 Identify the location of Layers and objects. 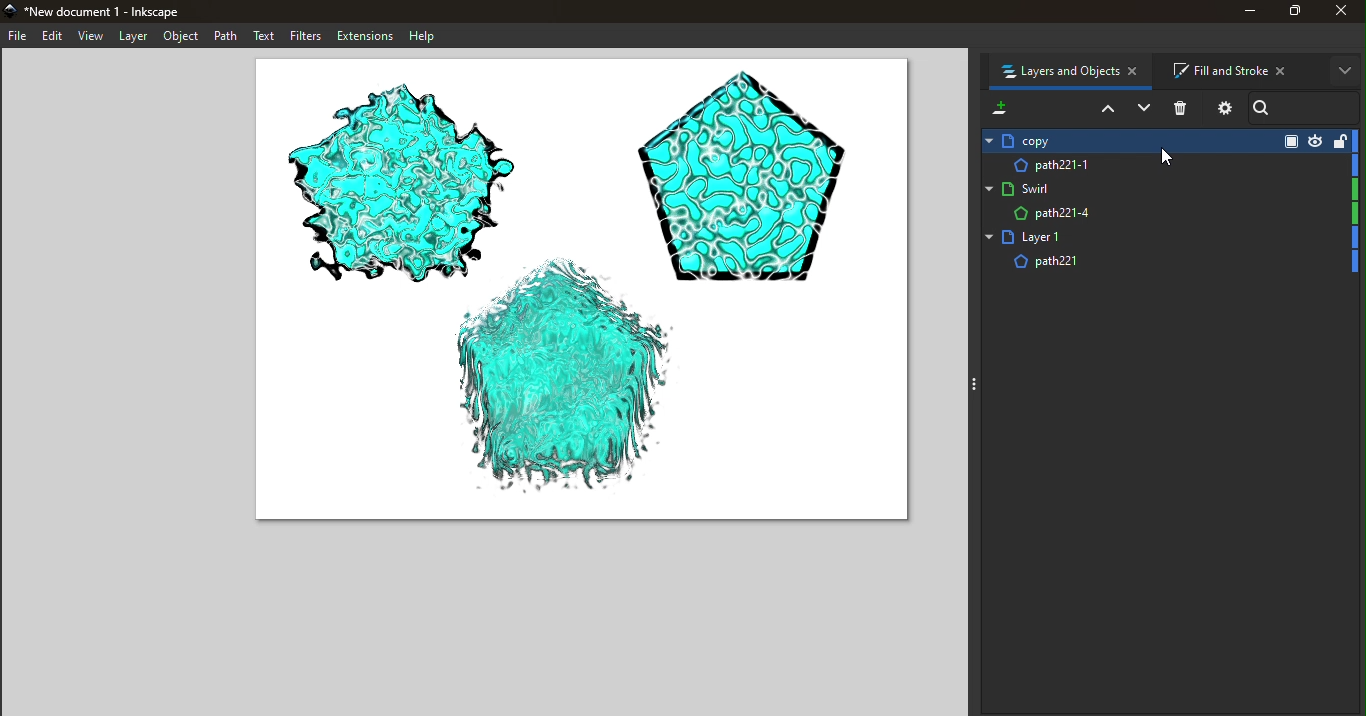
(1073, 73).